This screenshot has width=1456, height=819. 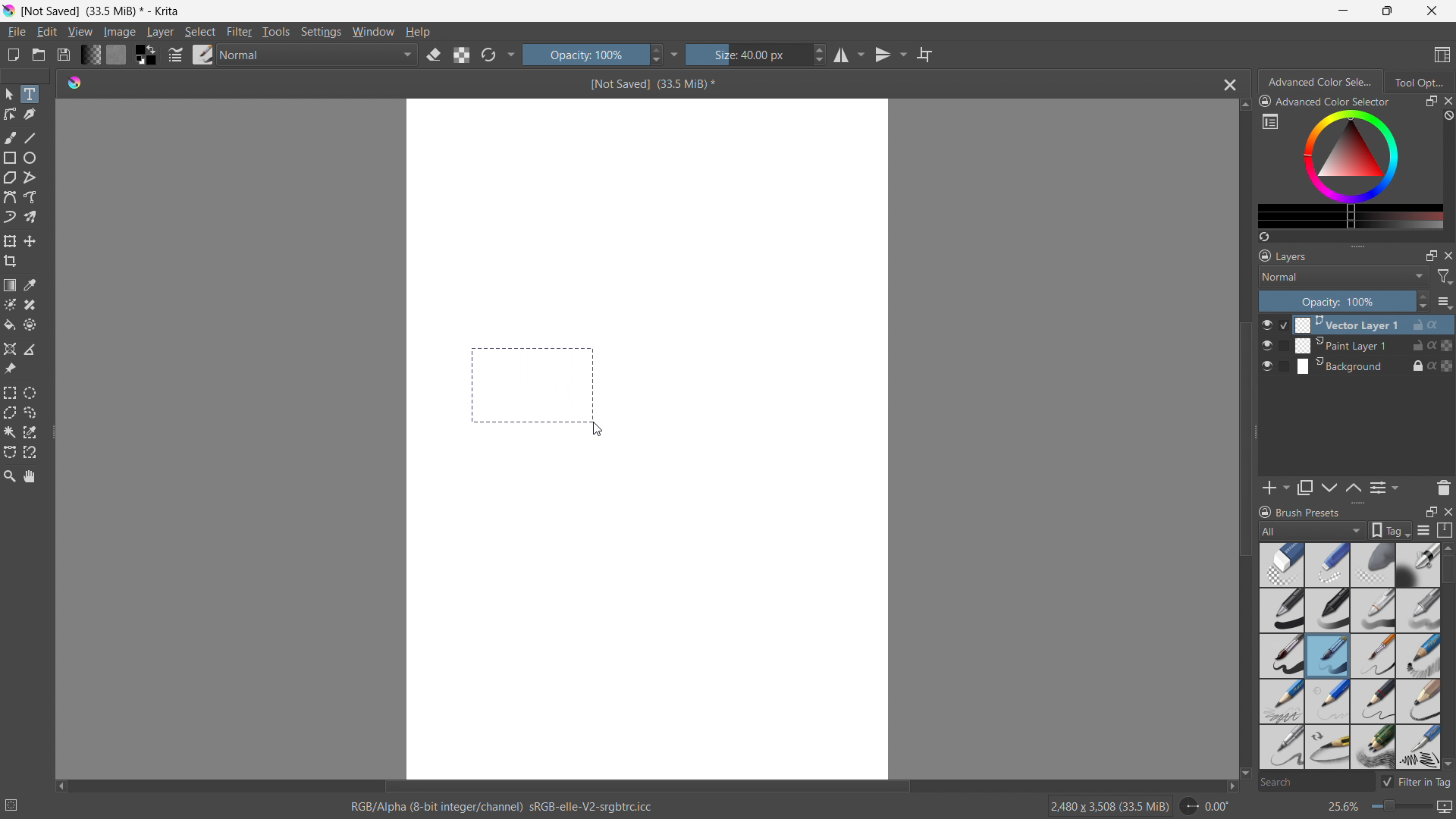 I want to click on scroll down, so click(x=1244, y=774).